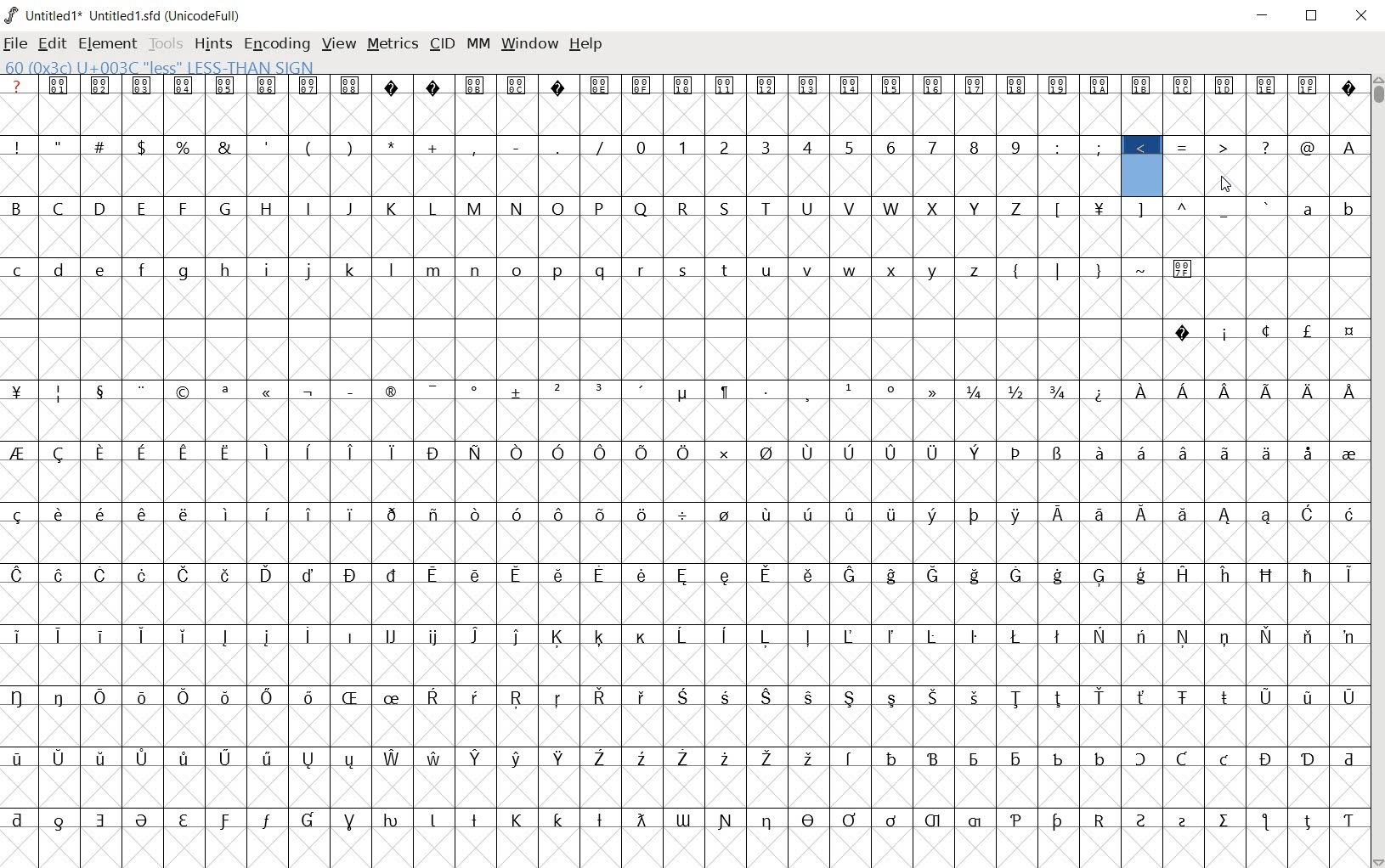  Describe the element at coordinates (167, 45) in the screenshot. I see `tools` at that location.